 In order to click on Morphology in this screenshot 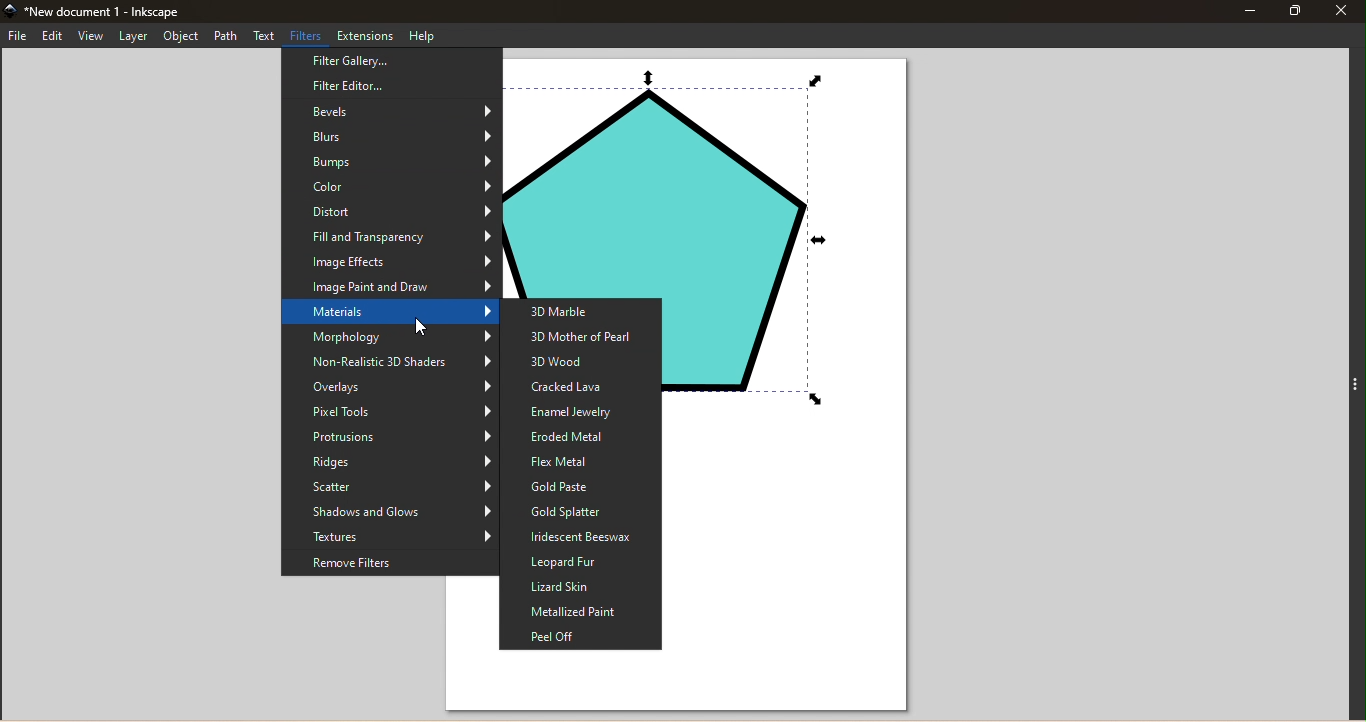, I will do `click(389, 337)`.